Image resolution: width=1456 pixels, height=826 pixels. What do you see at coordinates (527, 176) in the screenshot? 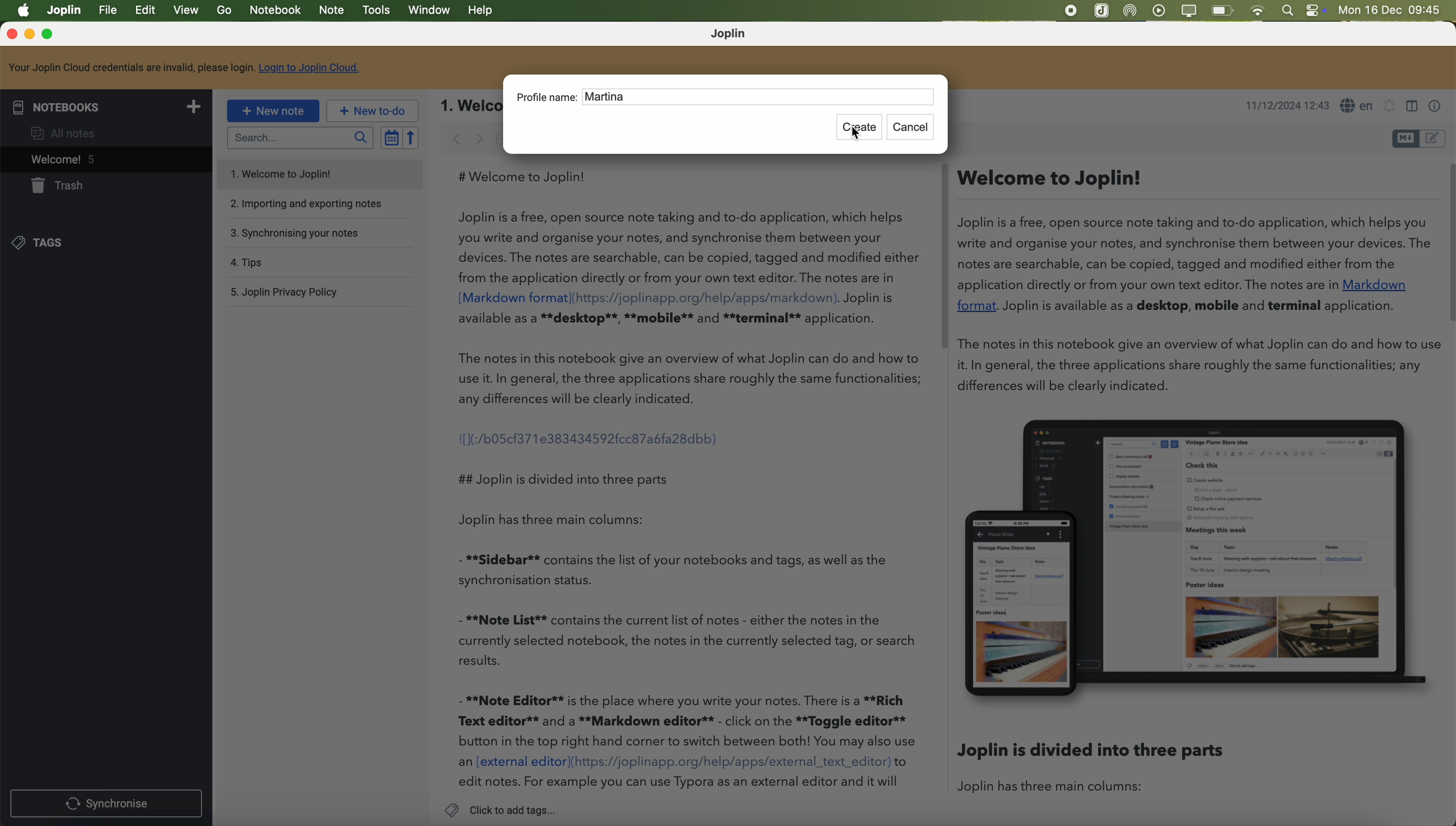
I see `# Welcome to Joplin!` at bounding box center [527, 176].